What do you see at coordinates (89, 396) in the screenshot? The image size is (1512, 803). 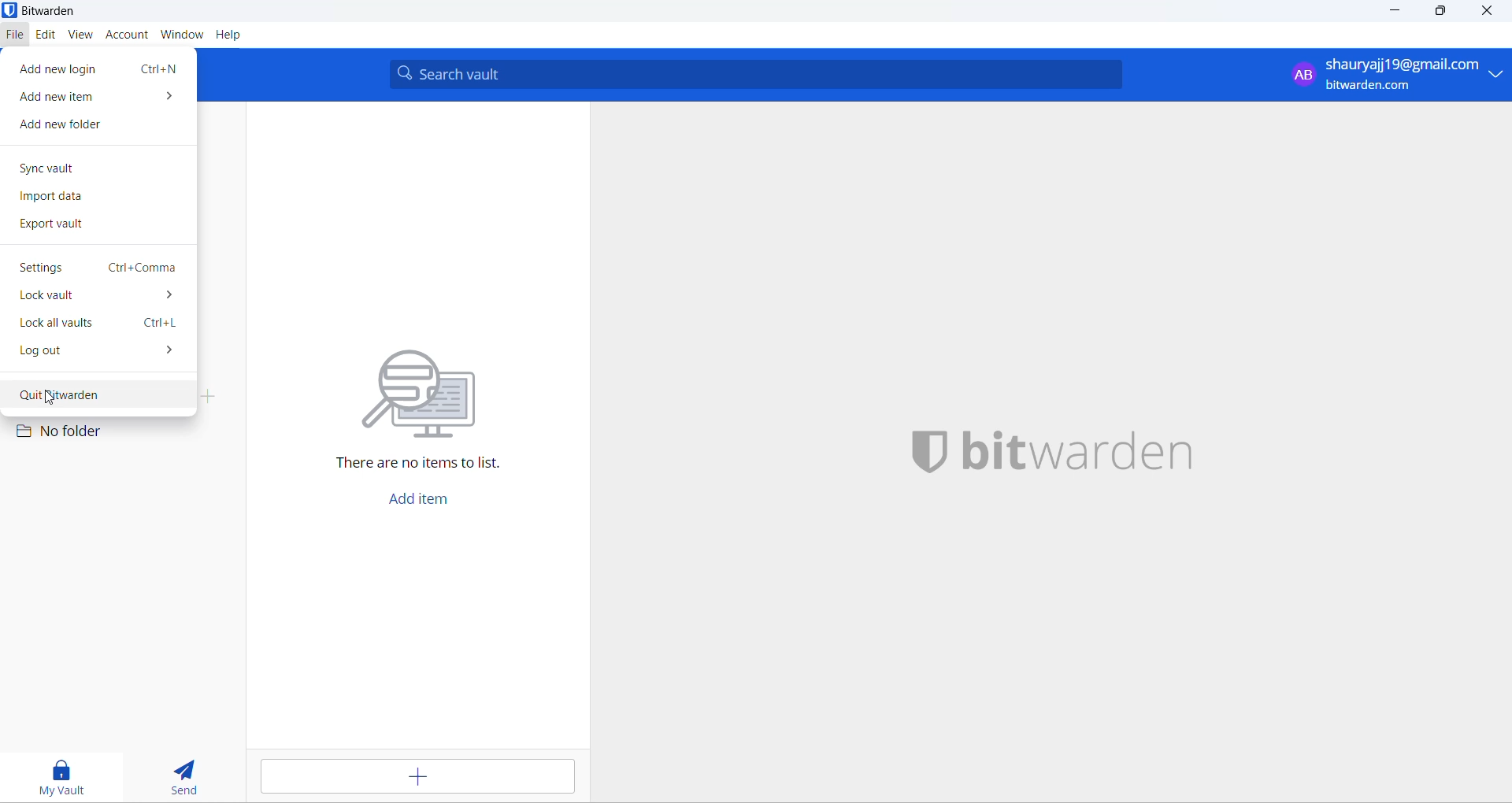 I see `quit bitwarden` at bounding box center [89, 396].